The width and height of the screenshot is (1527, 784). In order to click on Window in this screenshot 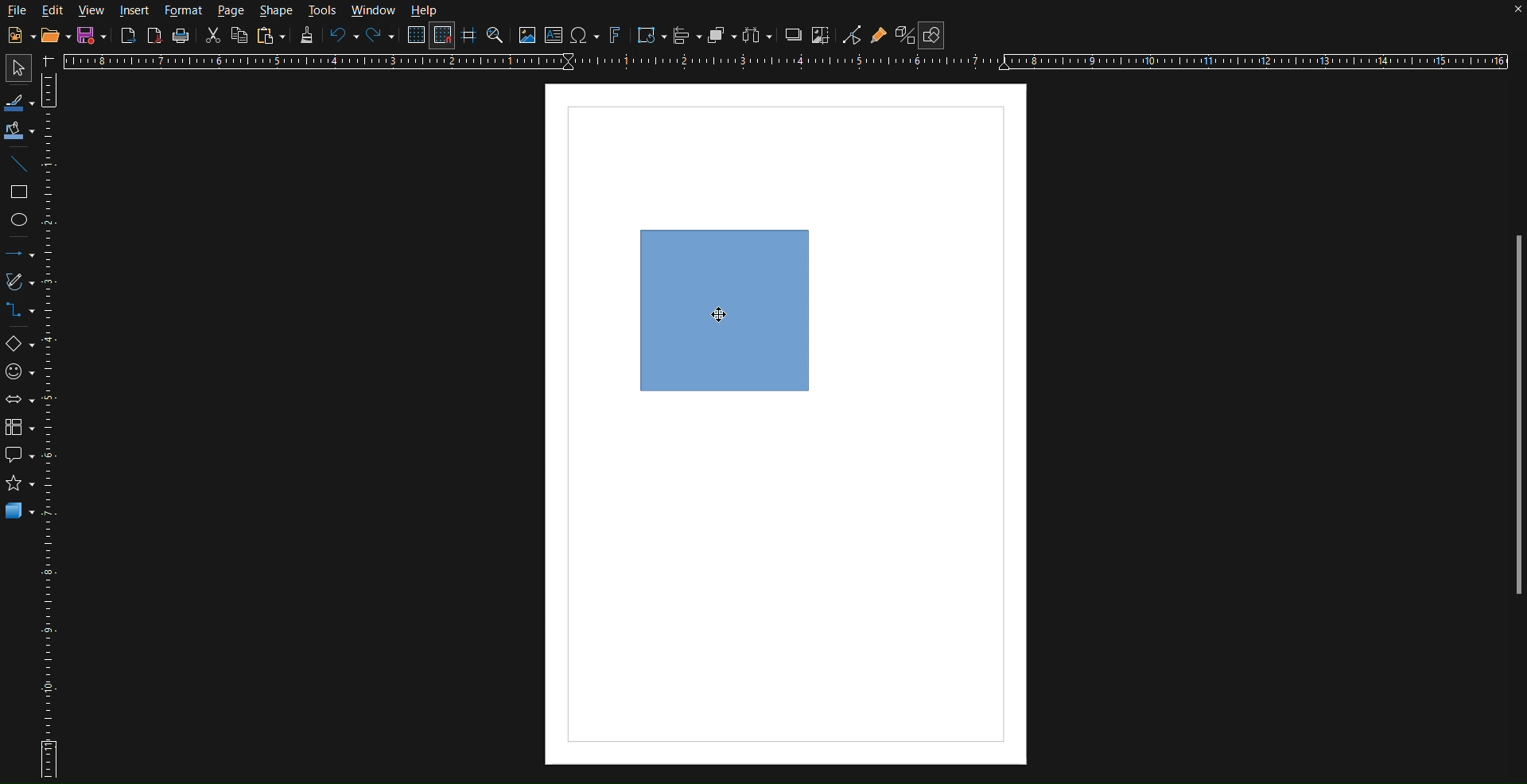, I will do `click(371, 10)`.